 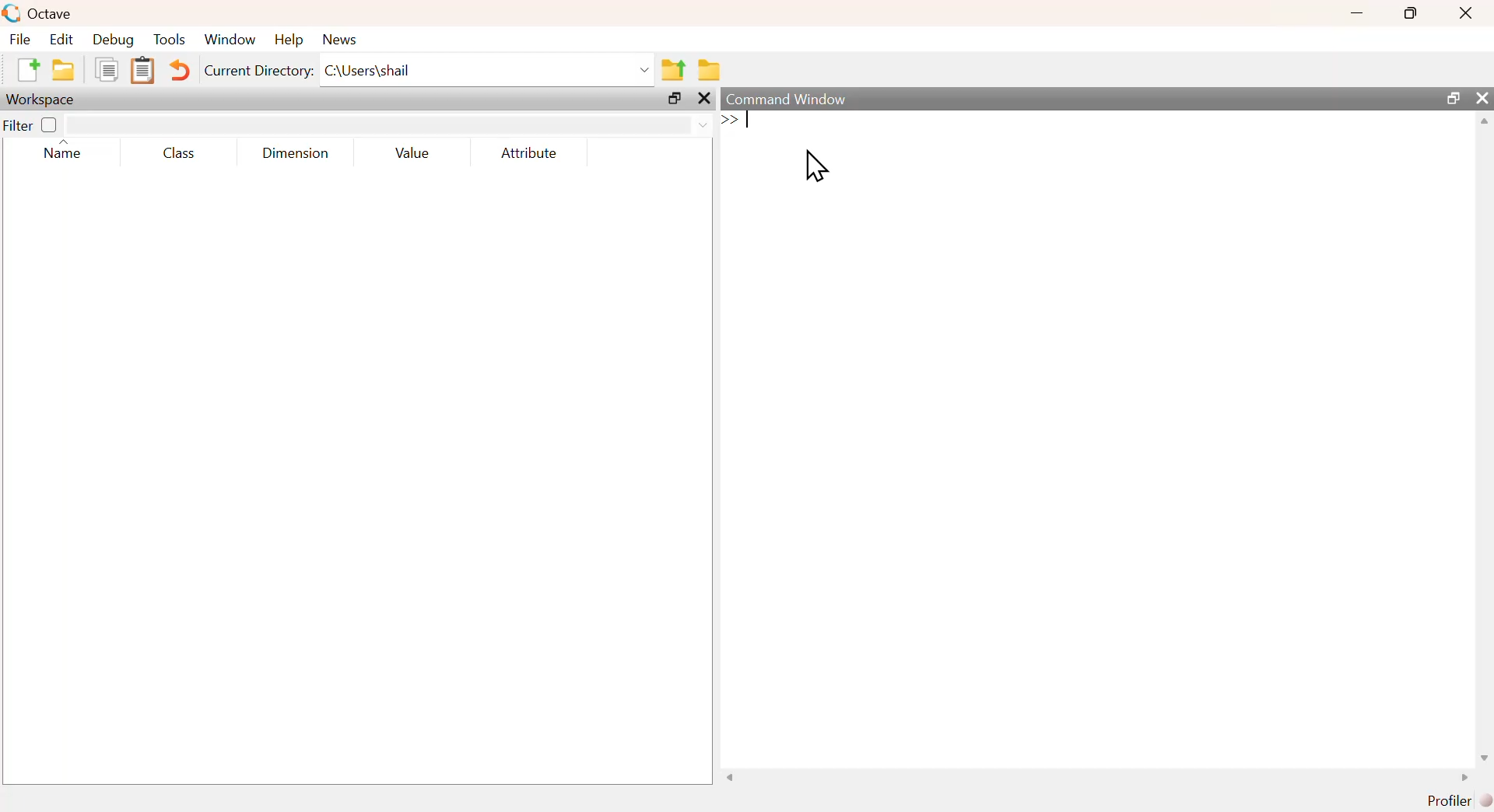 What do you see at coordinates (181, 73) in the screenshot?
I see `undo` at bounding box center [181, 73].